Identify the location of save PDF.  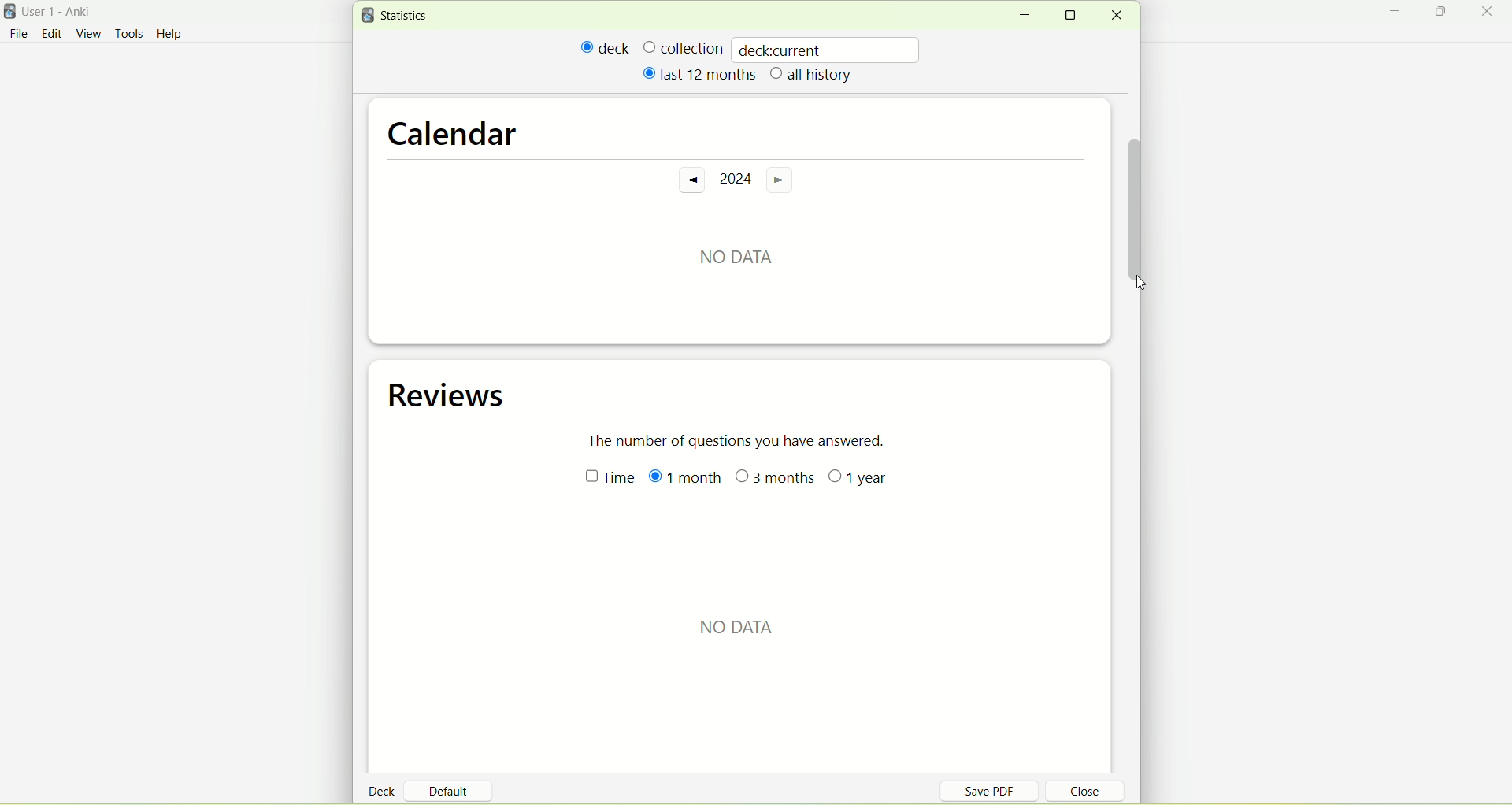
(999, 790).